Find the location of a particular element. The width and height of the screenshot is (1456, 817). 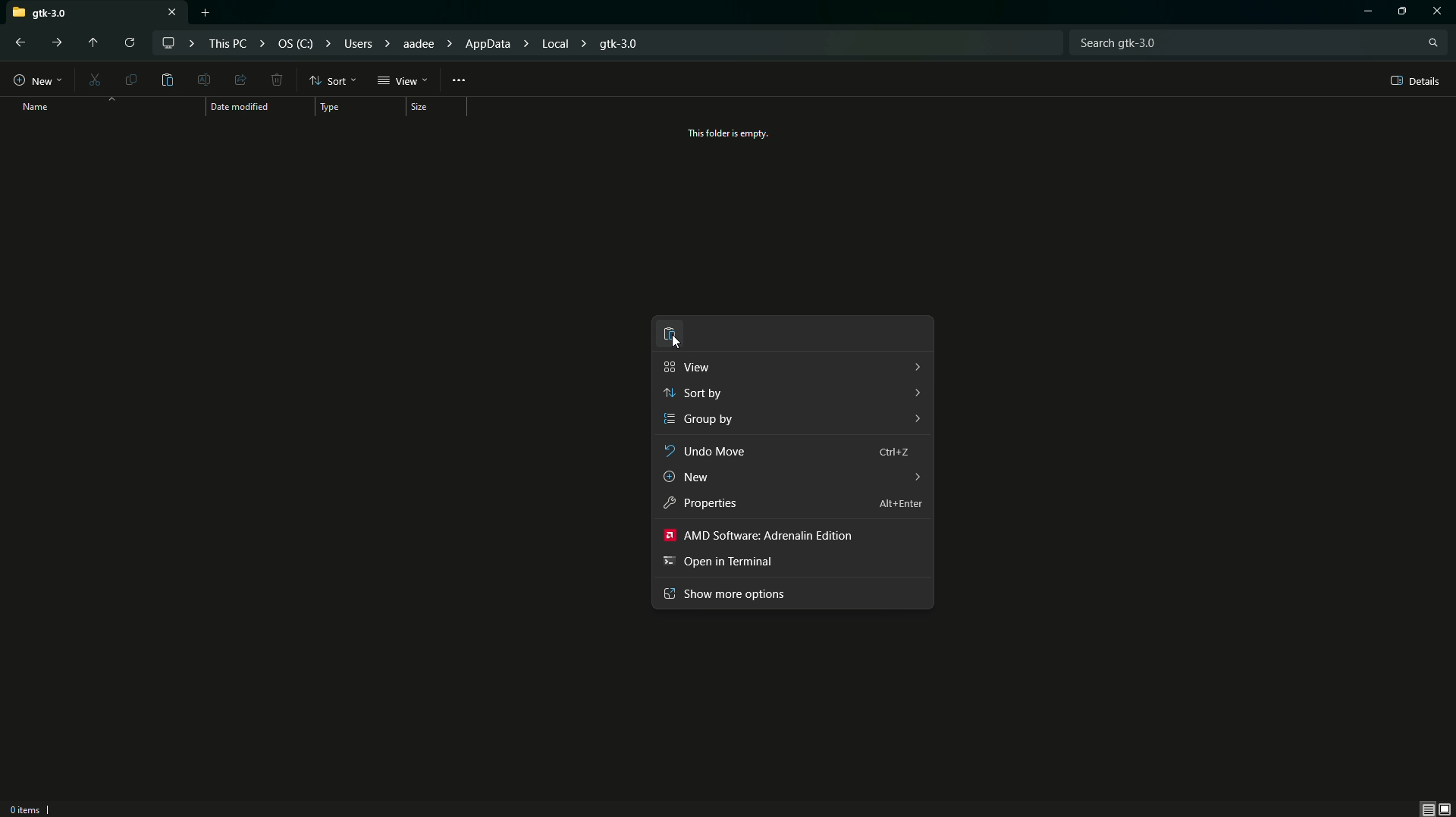

Move up is located at coordinates (91, 44).